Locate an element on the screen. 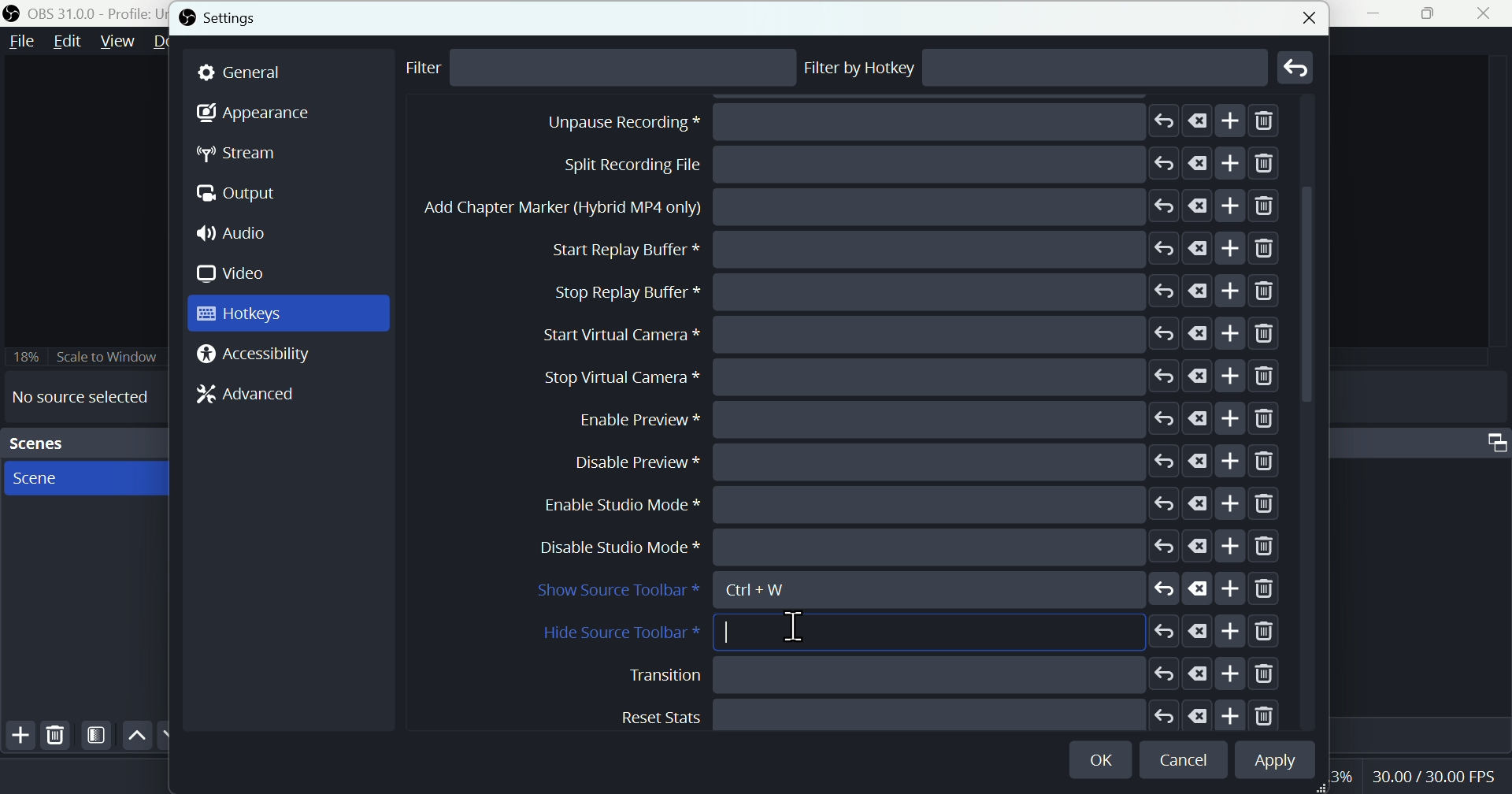 This screenshot has width=1512, height=794. general is located at coordinates (289, 72).